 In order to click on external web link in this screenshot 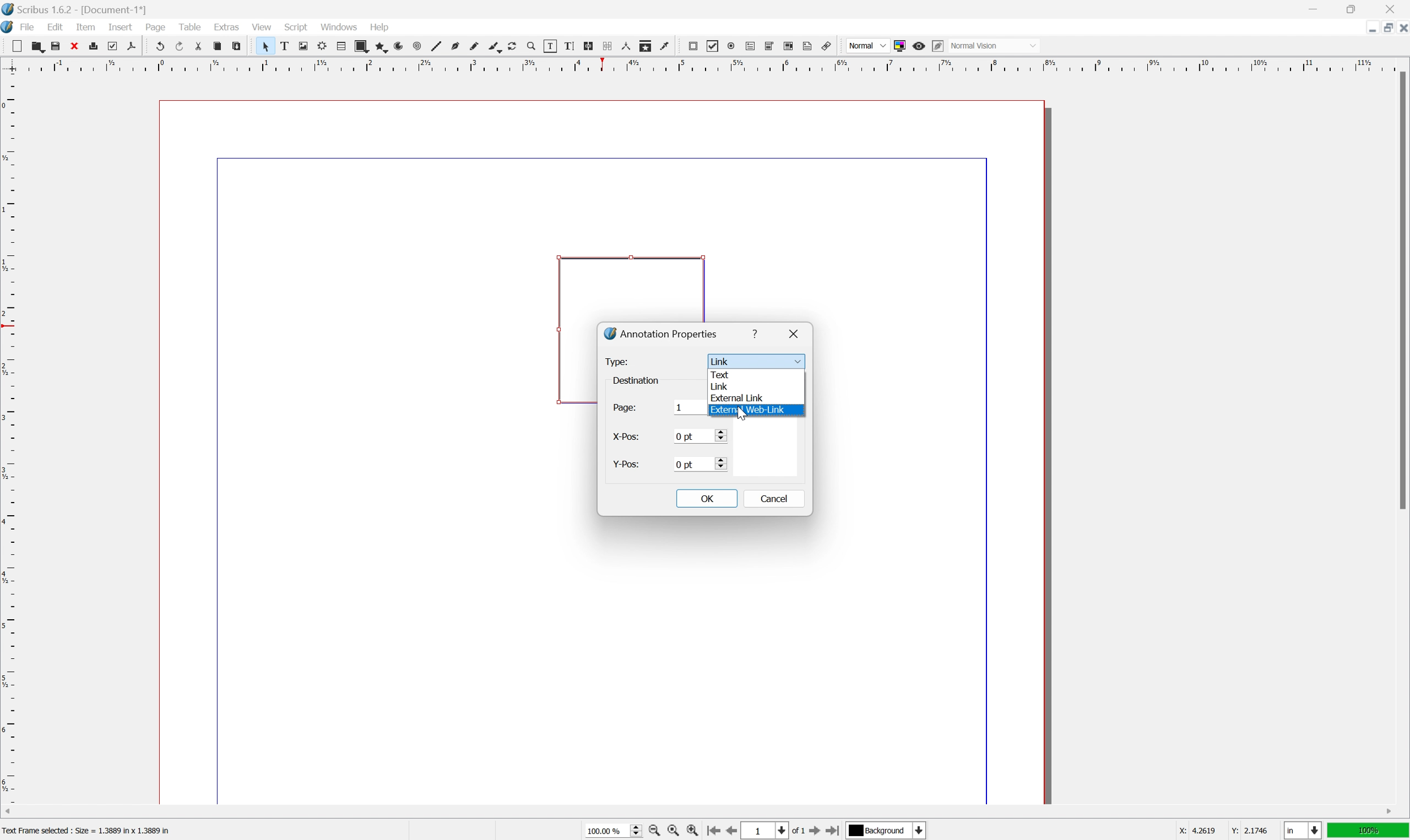, I will do `click(748, 410)`.